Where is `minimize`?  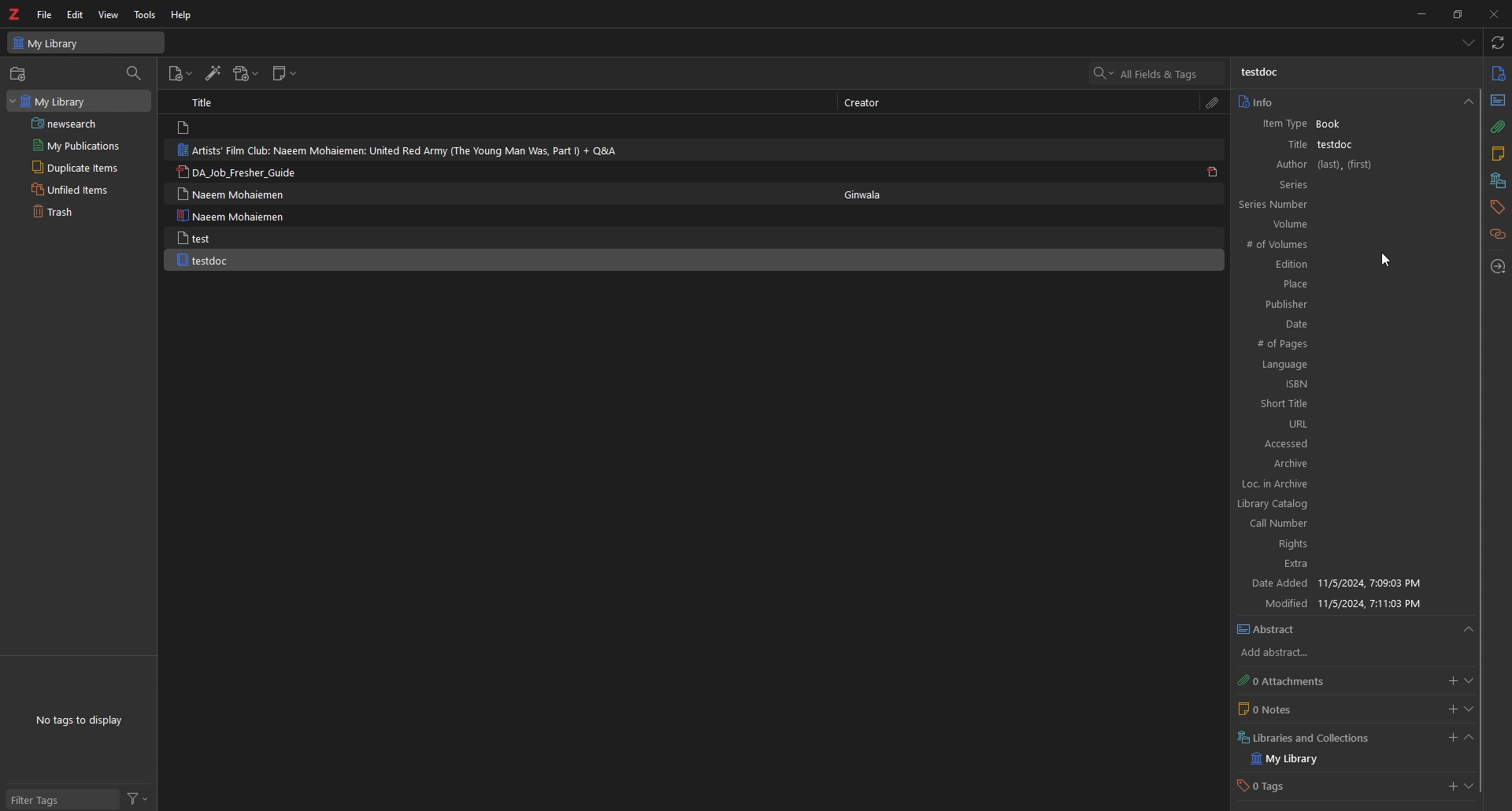
minimize is located at coordinates (1418, 14).